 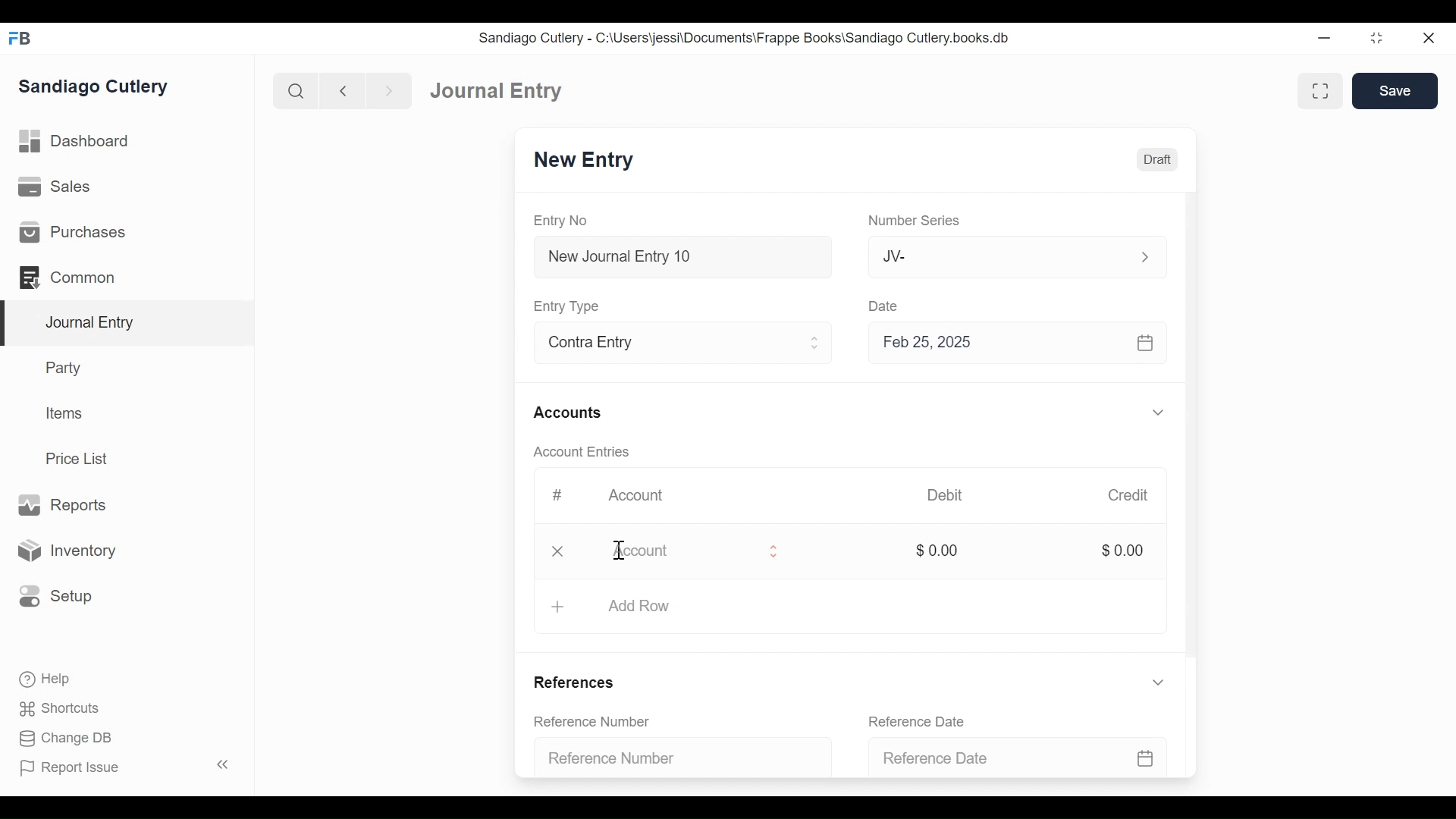 What do you see at coordinates (595, 722) in the screenshot?
I see `Reference Number` at bounding box center [595, 722].